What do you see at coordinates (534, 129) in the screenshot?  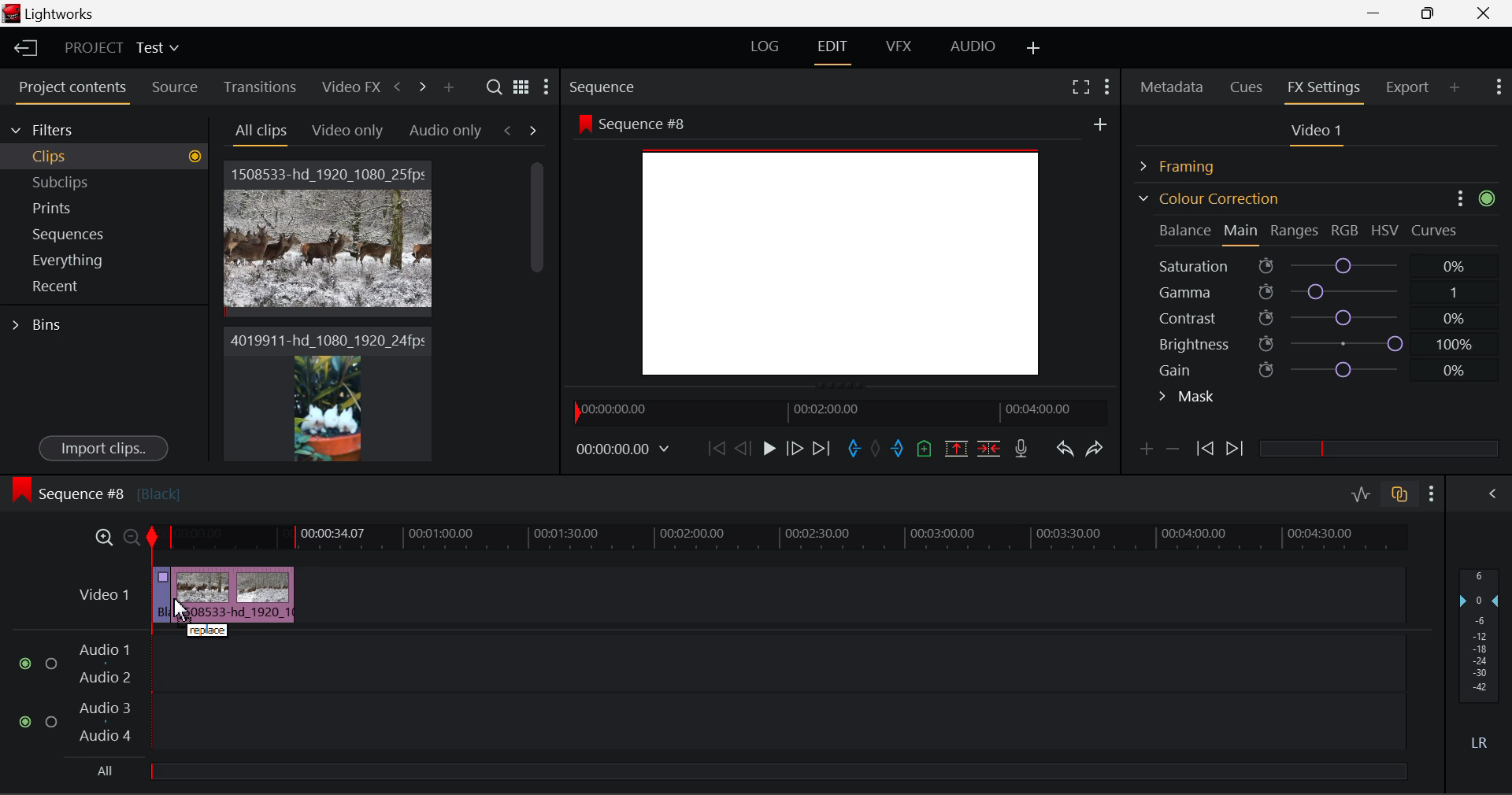 I see `Next Tab` at bounding box center [534, 129].